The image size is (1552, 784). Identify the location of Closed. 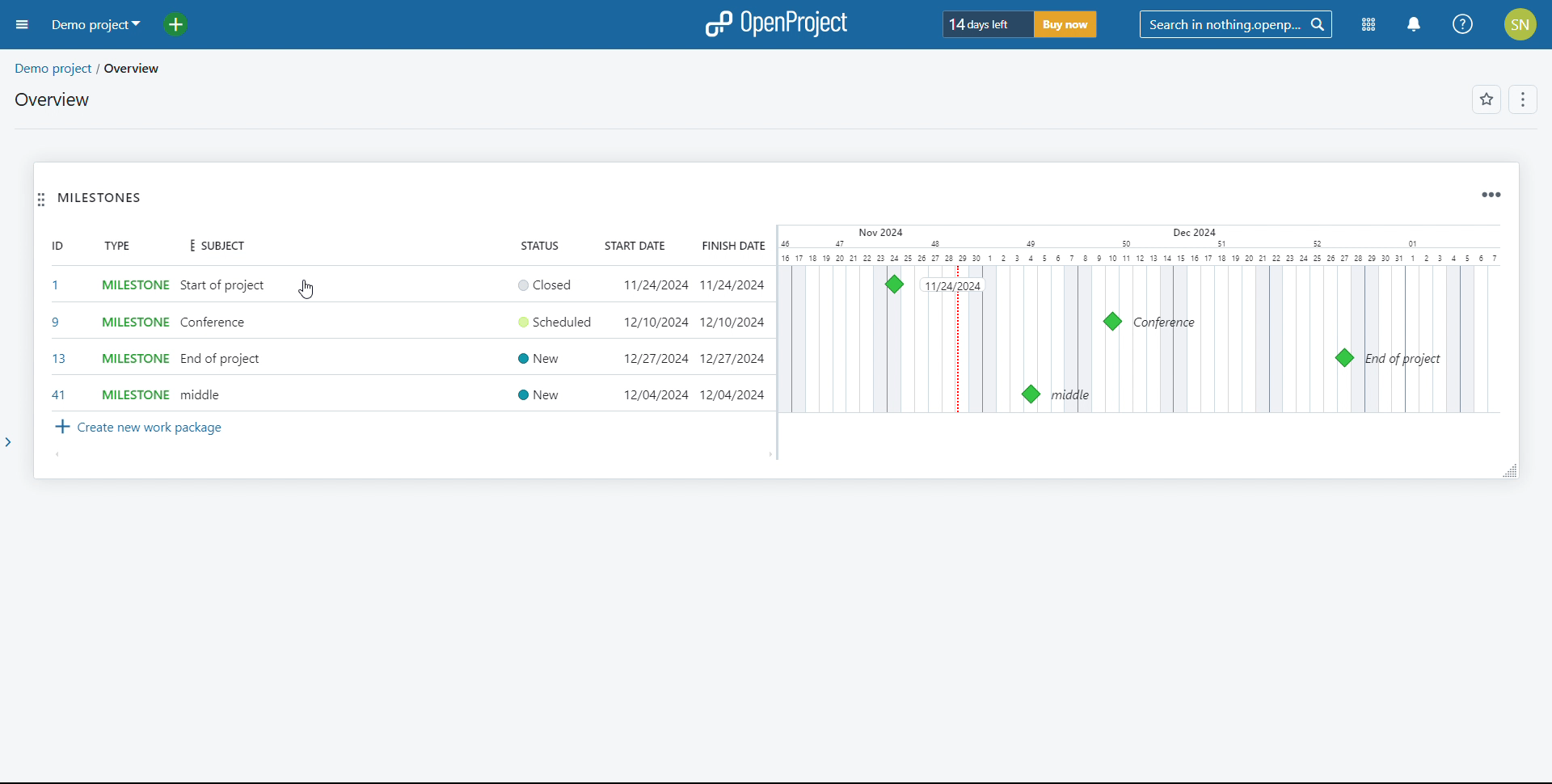
(538, 282).